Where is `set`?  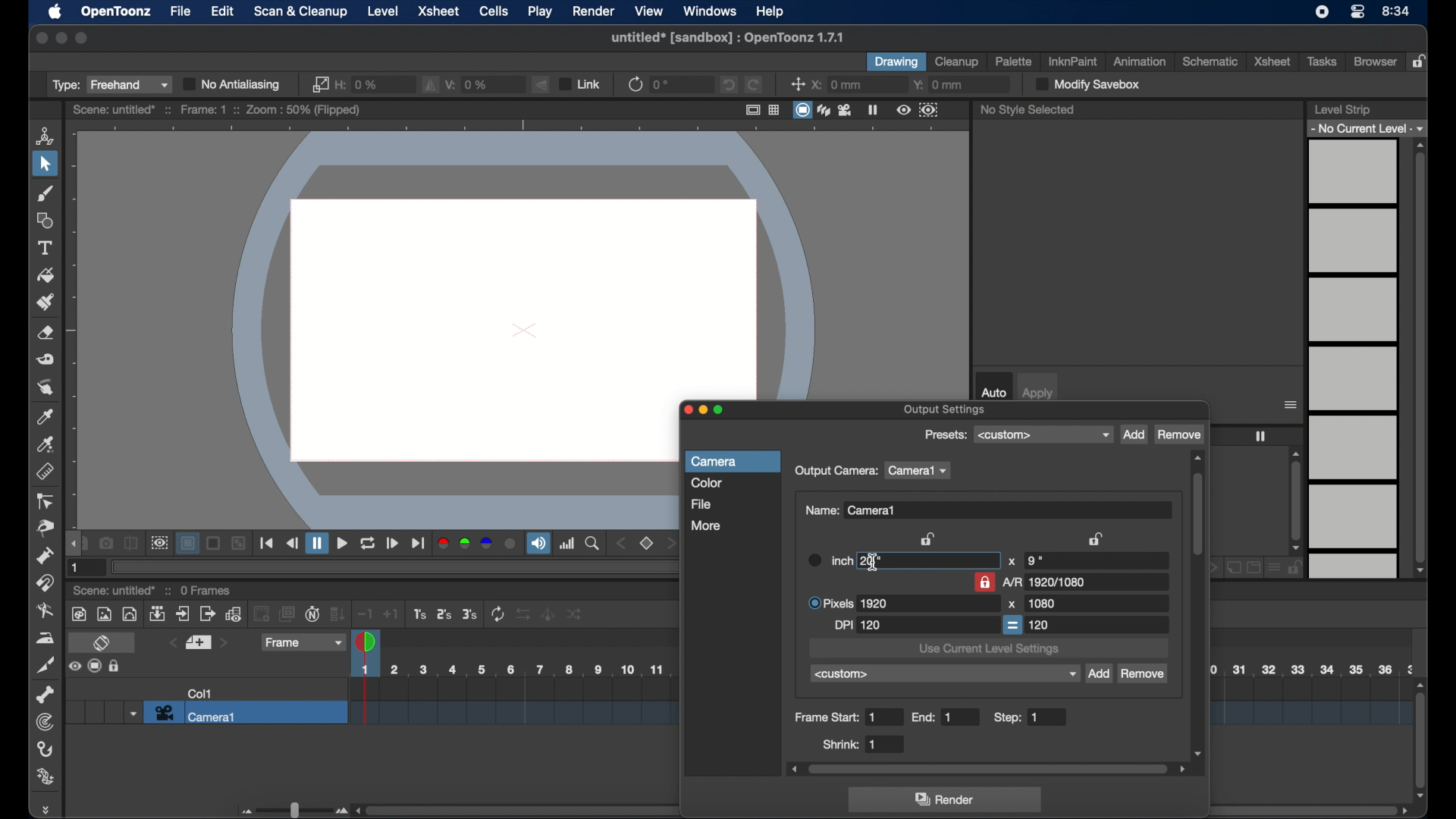
set is located at coordinates (197, 643).